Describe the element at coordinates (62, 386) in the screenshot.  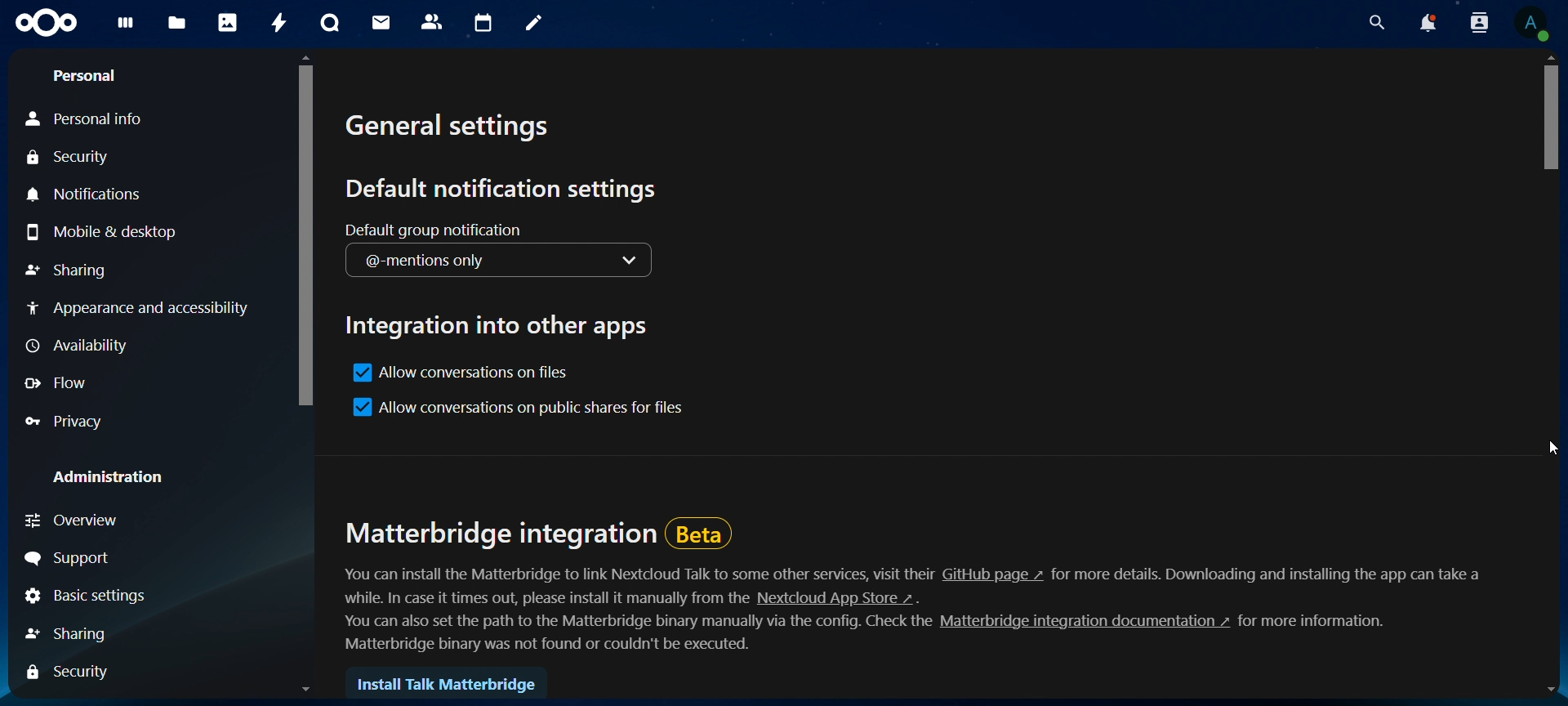
I see `Flow` at that location.